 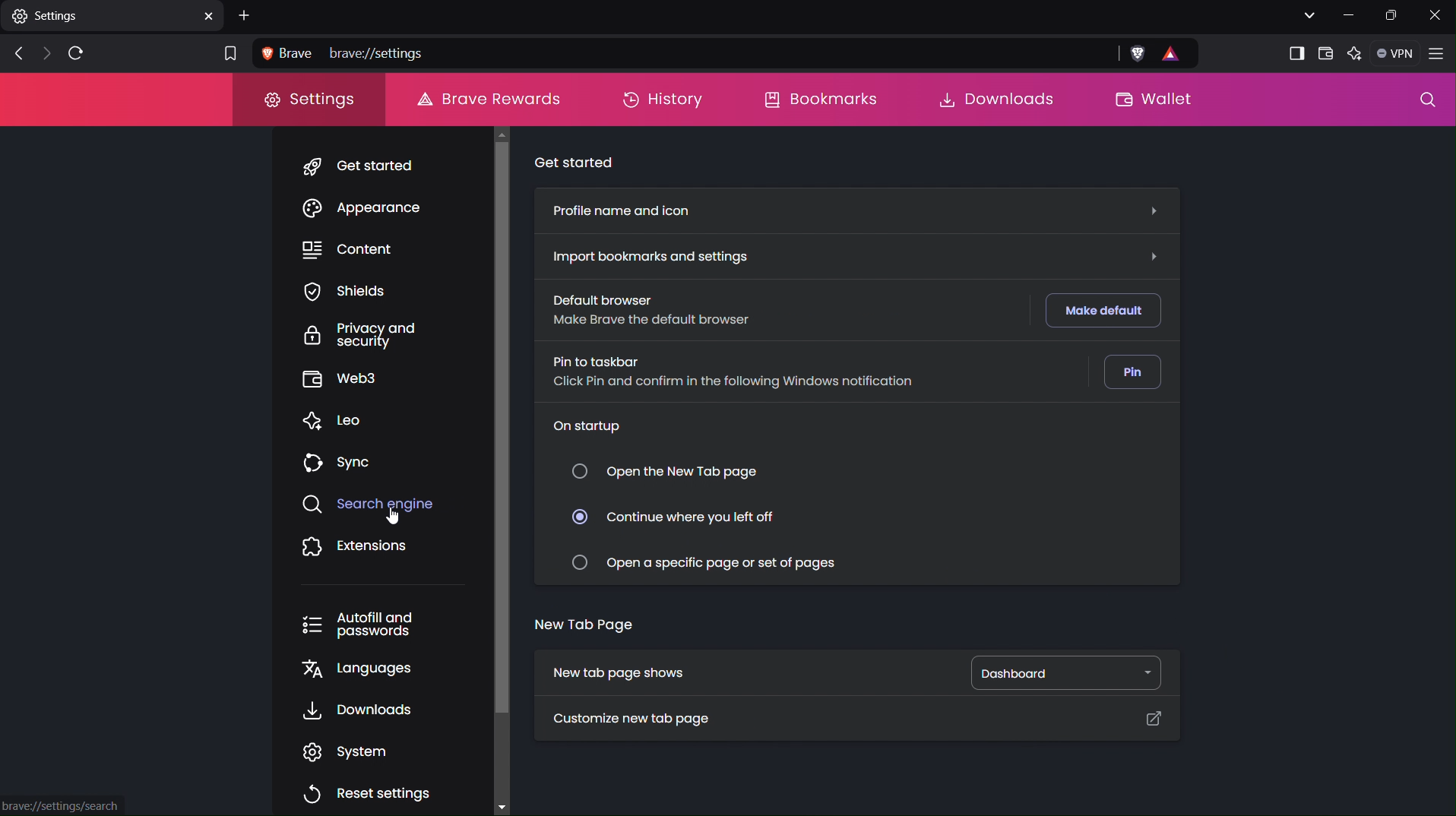 What do you see at coordinates (823, 99) in the screenshot?
I see `Bookmarks` at bounding box center [823, 99].